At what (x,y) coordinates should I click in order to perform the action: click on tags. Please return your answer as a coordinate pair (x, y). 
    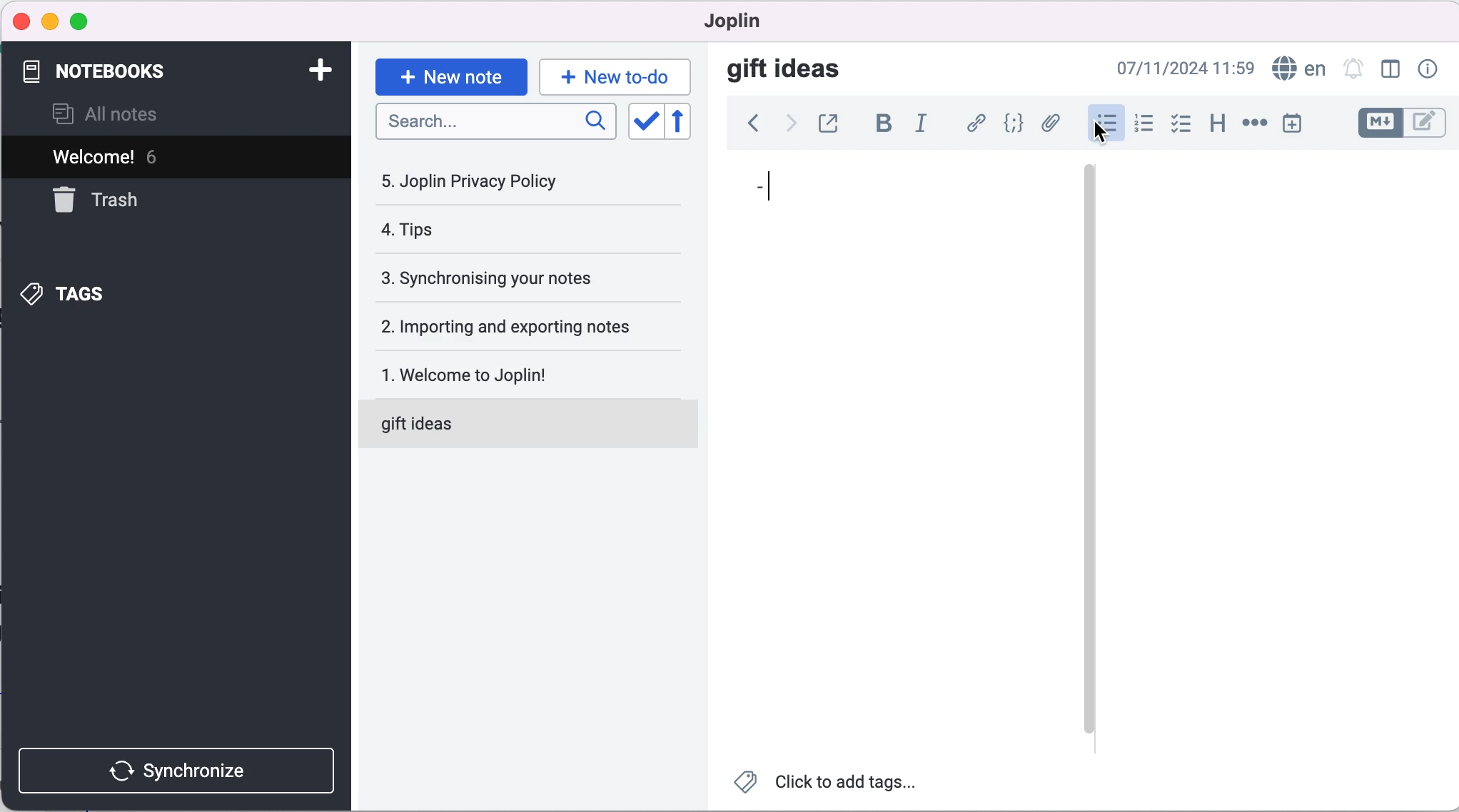
    Looking at the image, I should click on (78, 293).